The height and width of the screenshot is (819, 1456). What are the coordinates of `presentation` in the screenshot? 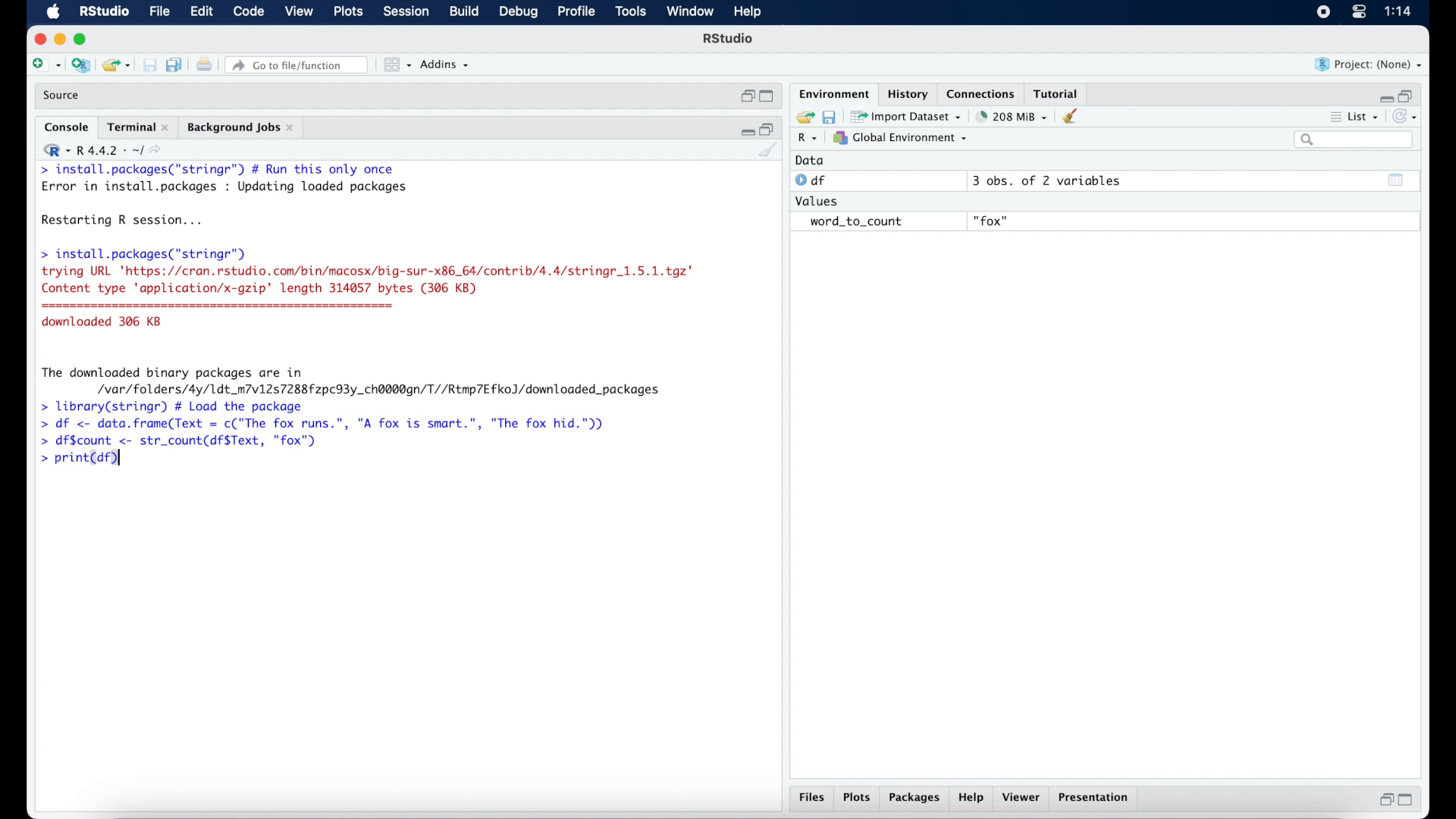 It's located at (1096, 799).